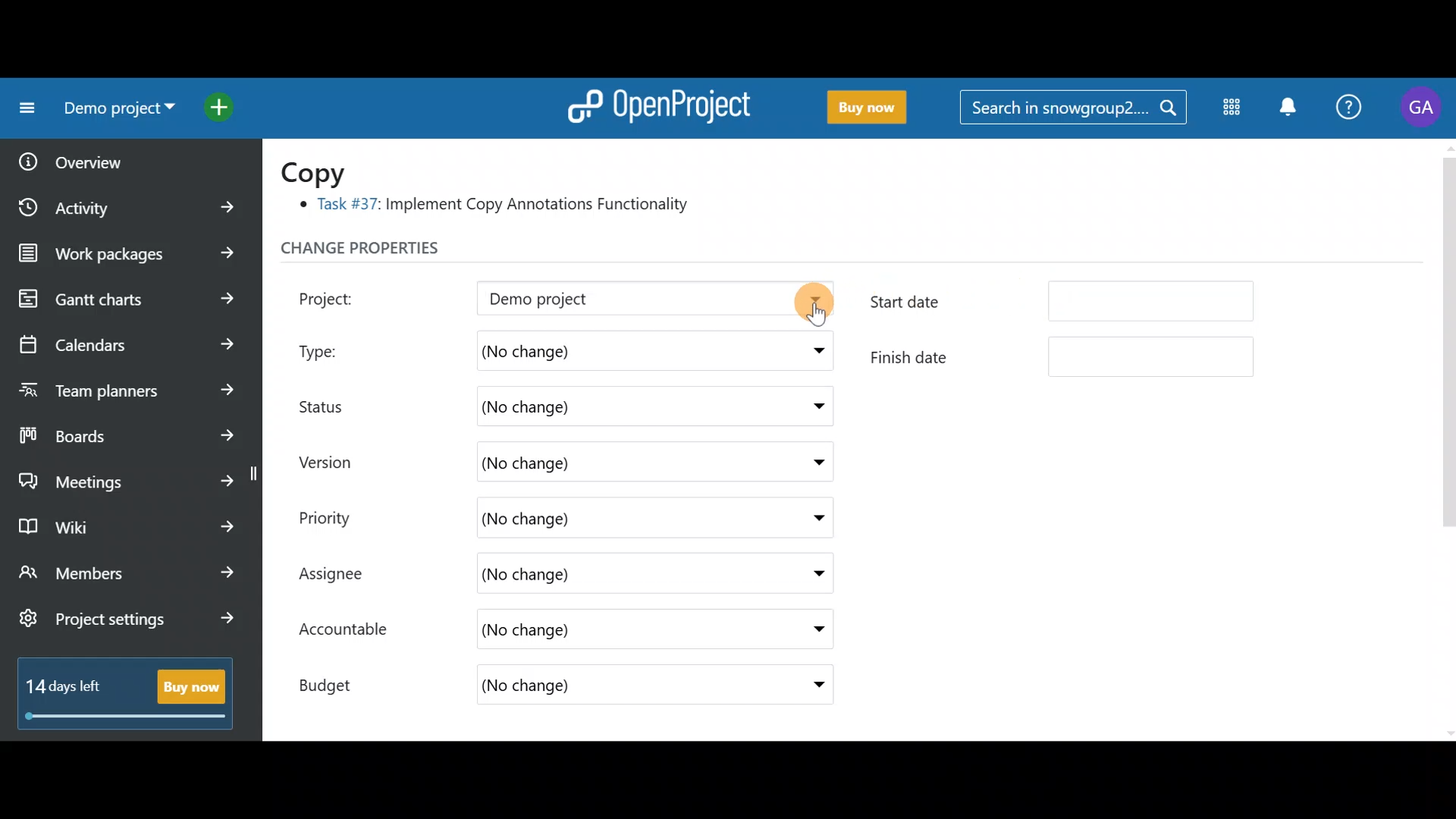 This screenshot has height=819, width=1456. I want to click on (No change), so click(573, 518).